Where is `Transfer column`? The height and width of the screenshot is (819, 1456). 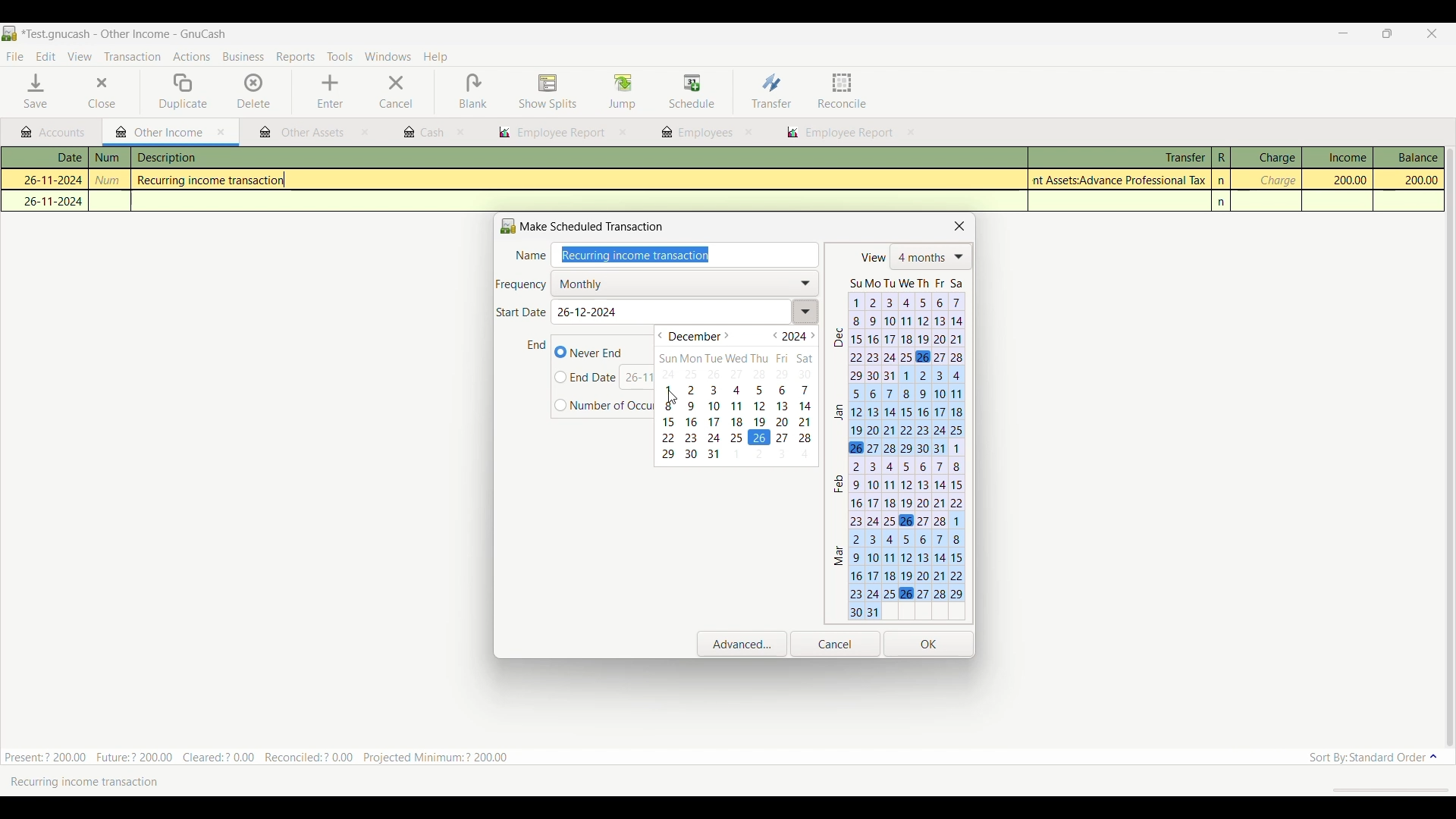 Transfer column is located at coordinates (1119, 155).